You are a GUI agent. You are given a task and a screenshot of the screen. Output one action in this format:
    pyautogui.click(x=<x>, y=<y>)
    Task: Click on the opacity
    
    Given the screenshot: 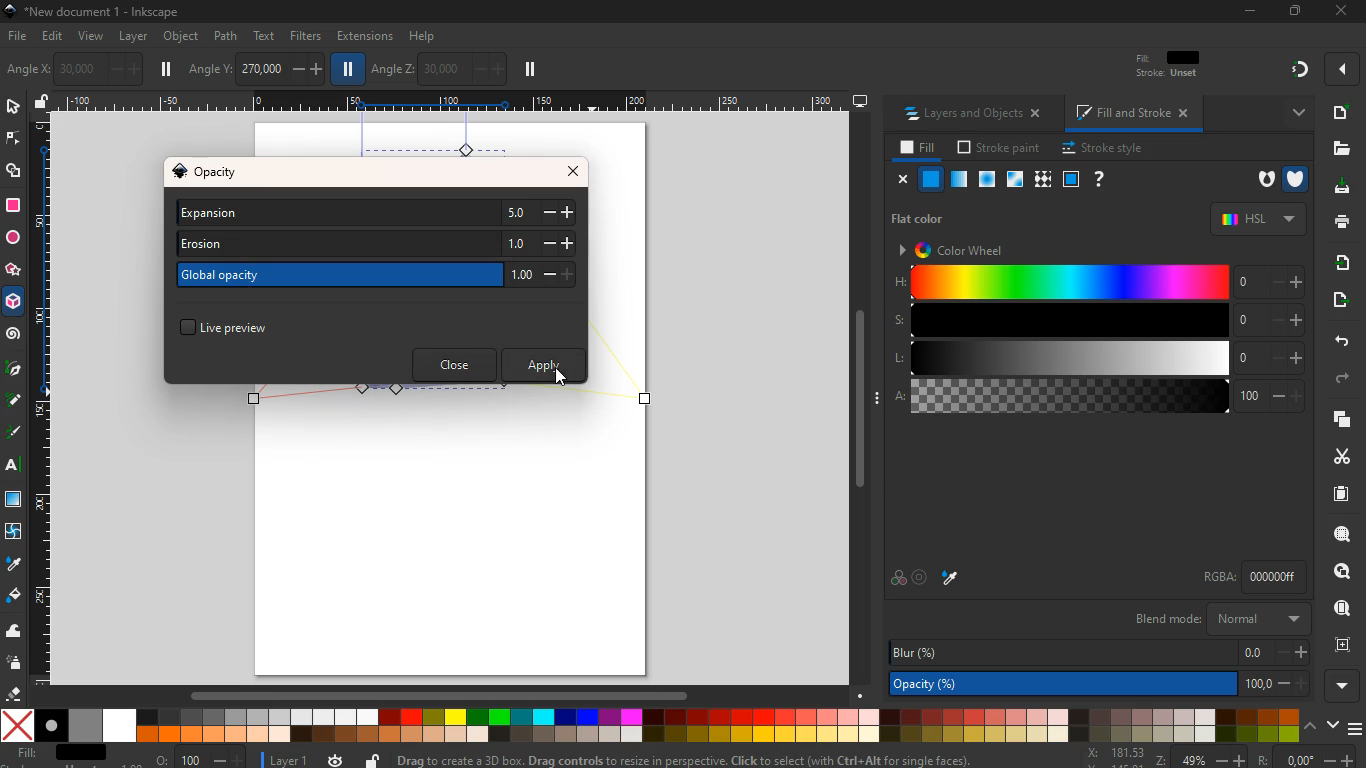 What is the action you would take?
    pyautogui.click(x=1095, y=684)
    